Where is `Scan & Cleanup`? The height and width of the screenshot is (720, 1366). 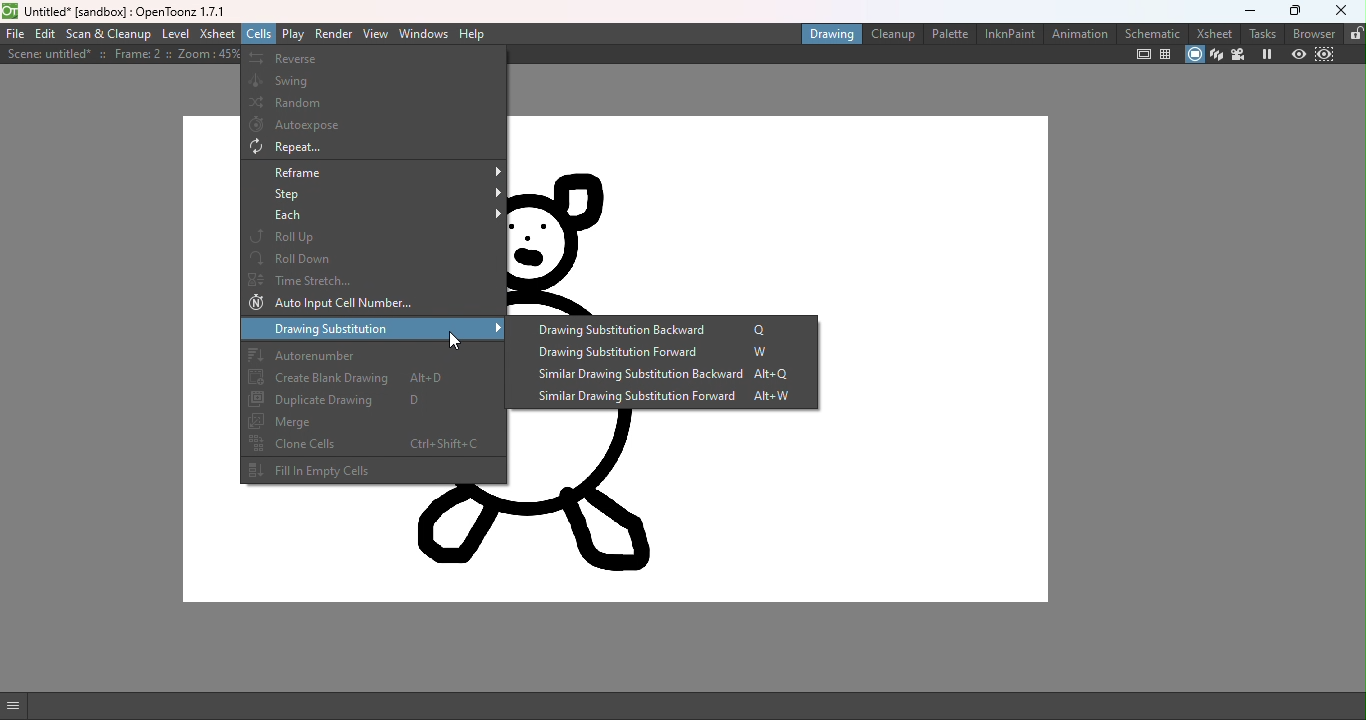
Scan & Cleanup is located at coordinates (110, 35).